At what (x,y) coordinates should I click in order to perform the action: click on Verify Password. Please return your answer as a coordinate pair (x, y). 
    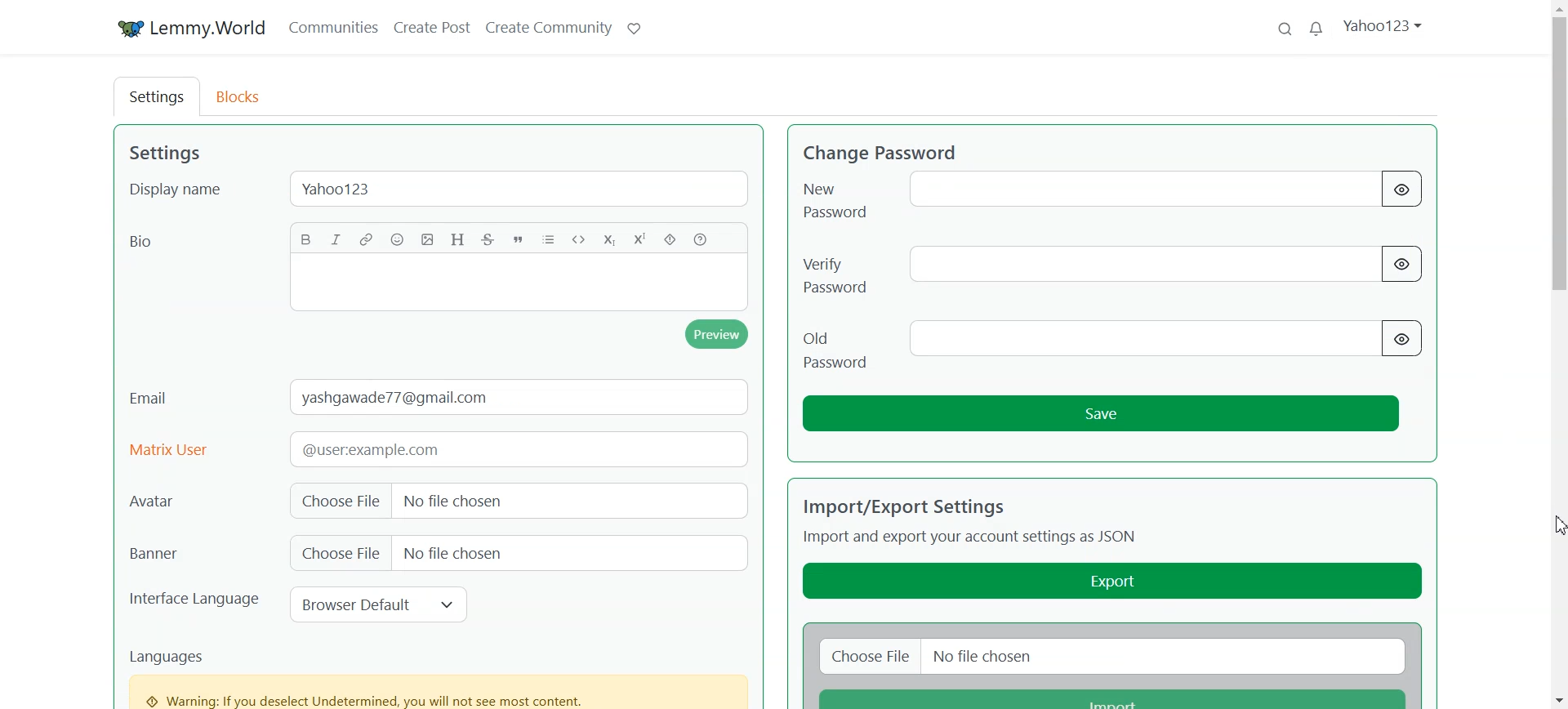
    Looking at the image, I should click on (838, 269).